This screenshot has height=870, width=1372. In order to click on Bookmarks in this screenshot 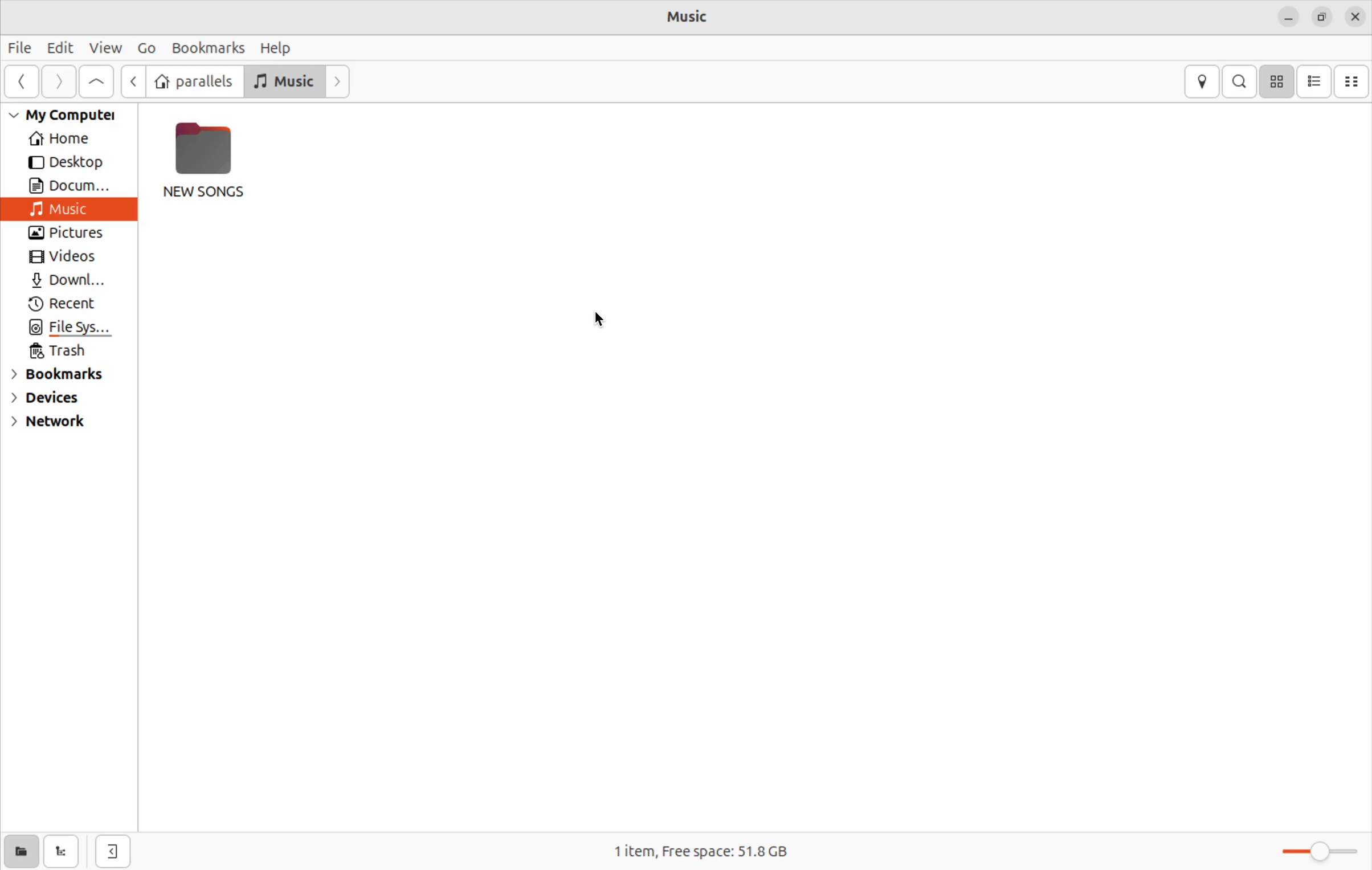, I will do `click(59, 375)`.